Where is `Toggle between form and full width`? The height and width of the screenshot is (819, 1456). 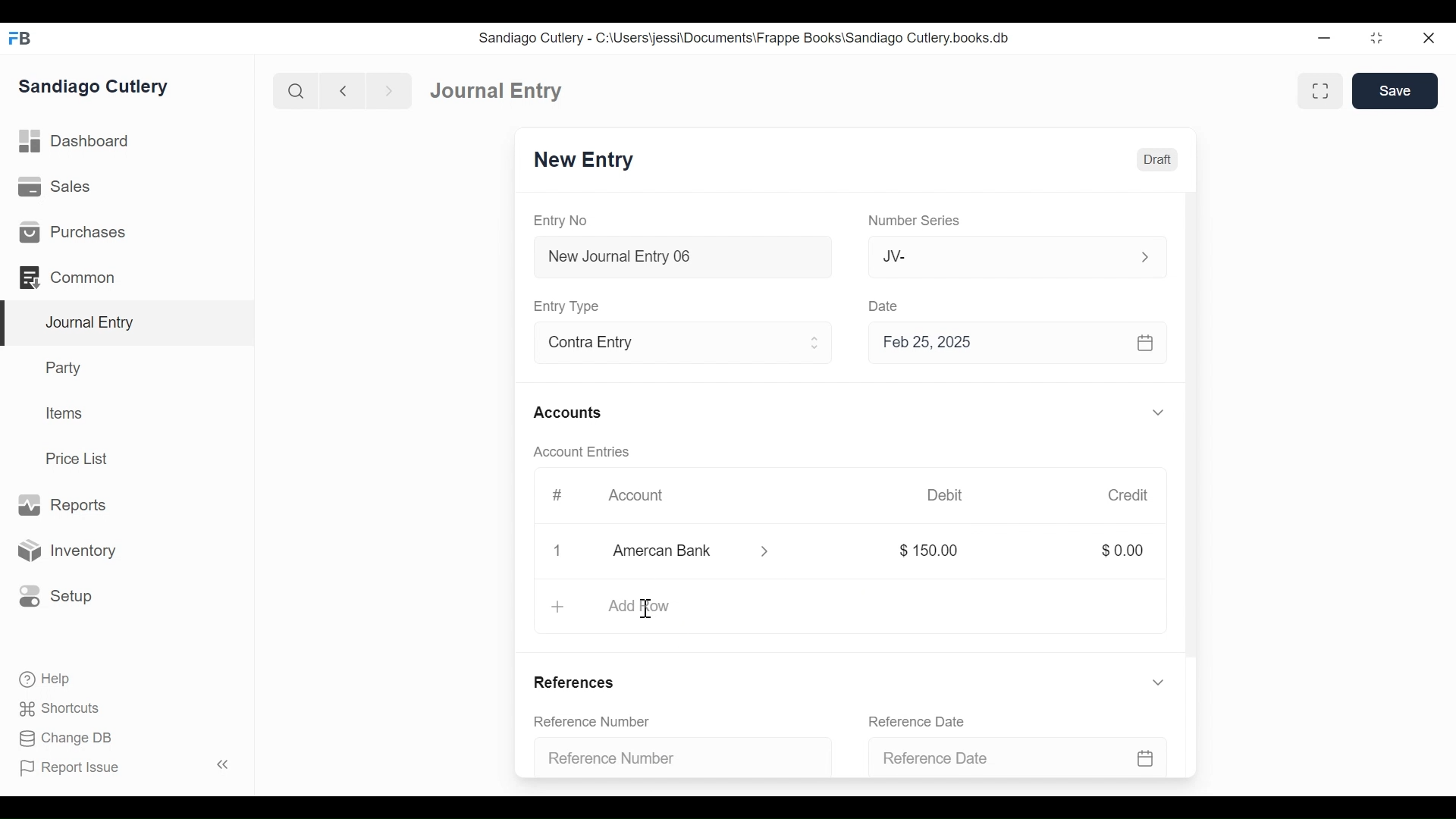
Toggle between form and full width is located at coordinates (1320, 91).